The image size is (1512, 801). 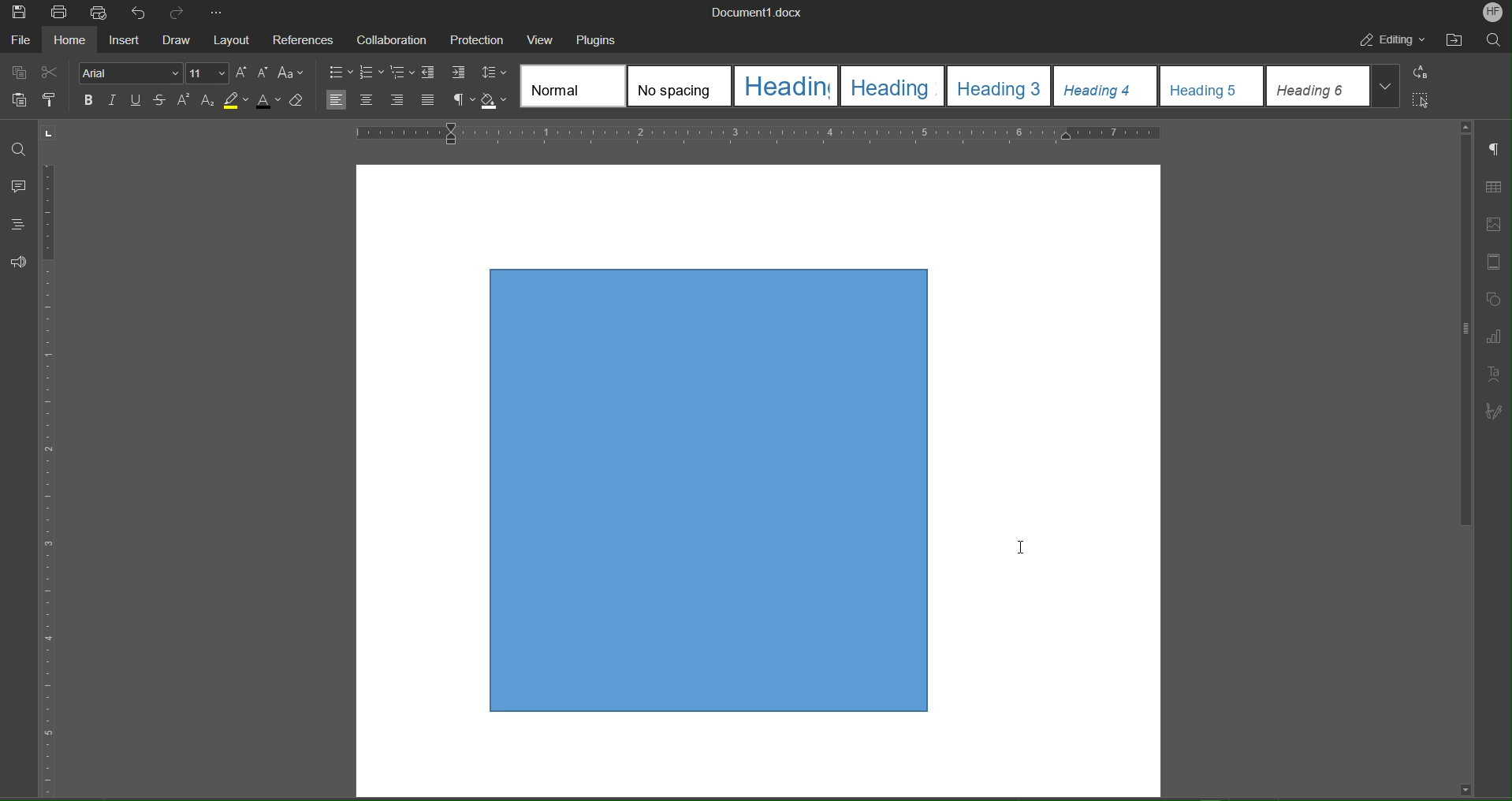 What do you see at coordinates (1212, 86) in the screenshot?
I see `Heading 5` at bounding box center [1212, 86].